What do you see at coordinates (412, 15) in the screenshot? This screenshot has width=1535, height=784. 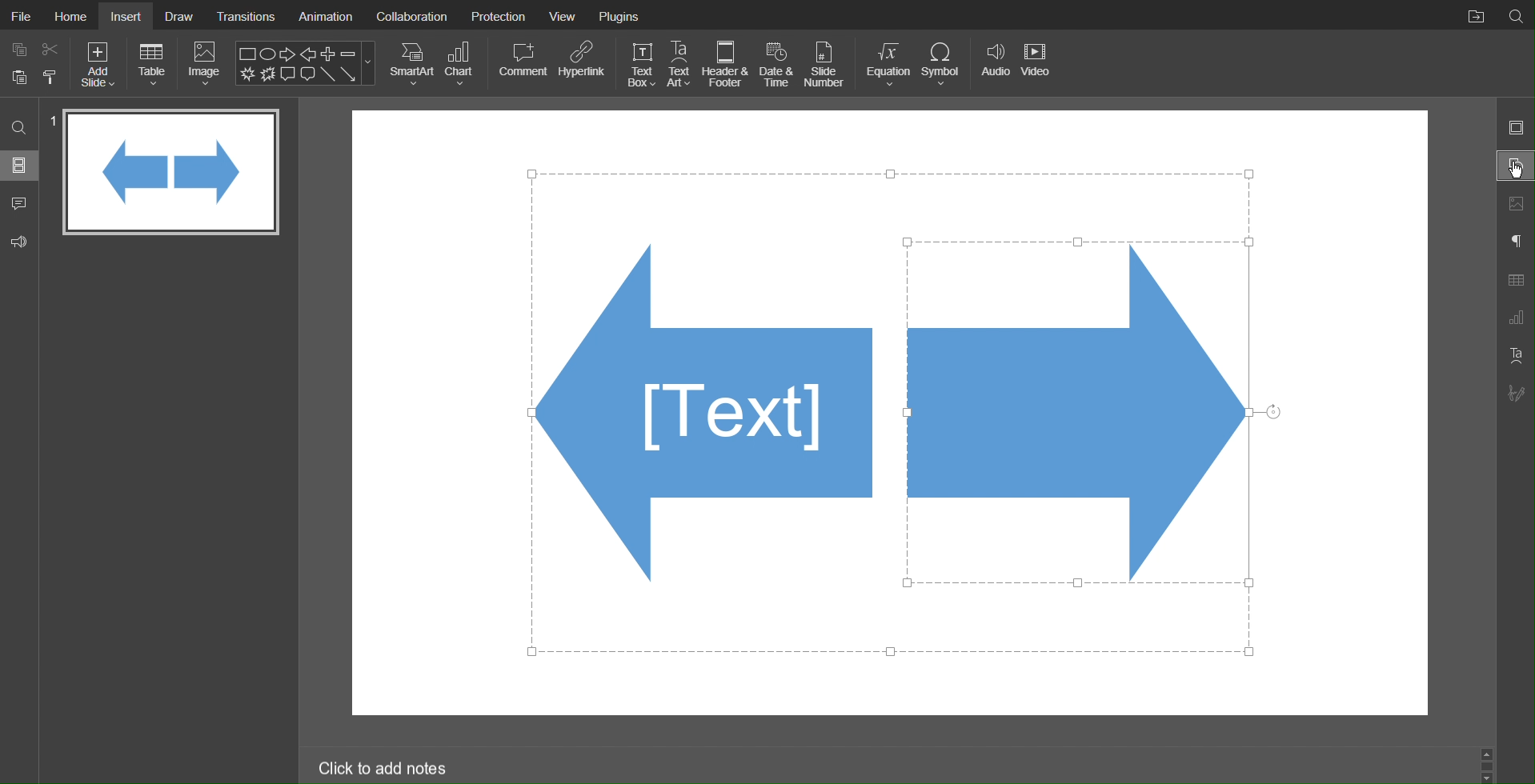 I see `Collaboration` at bounding box center [412, 15].